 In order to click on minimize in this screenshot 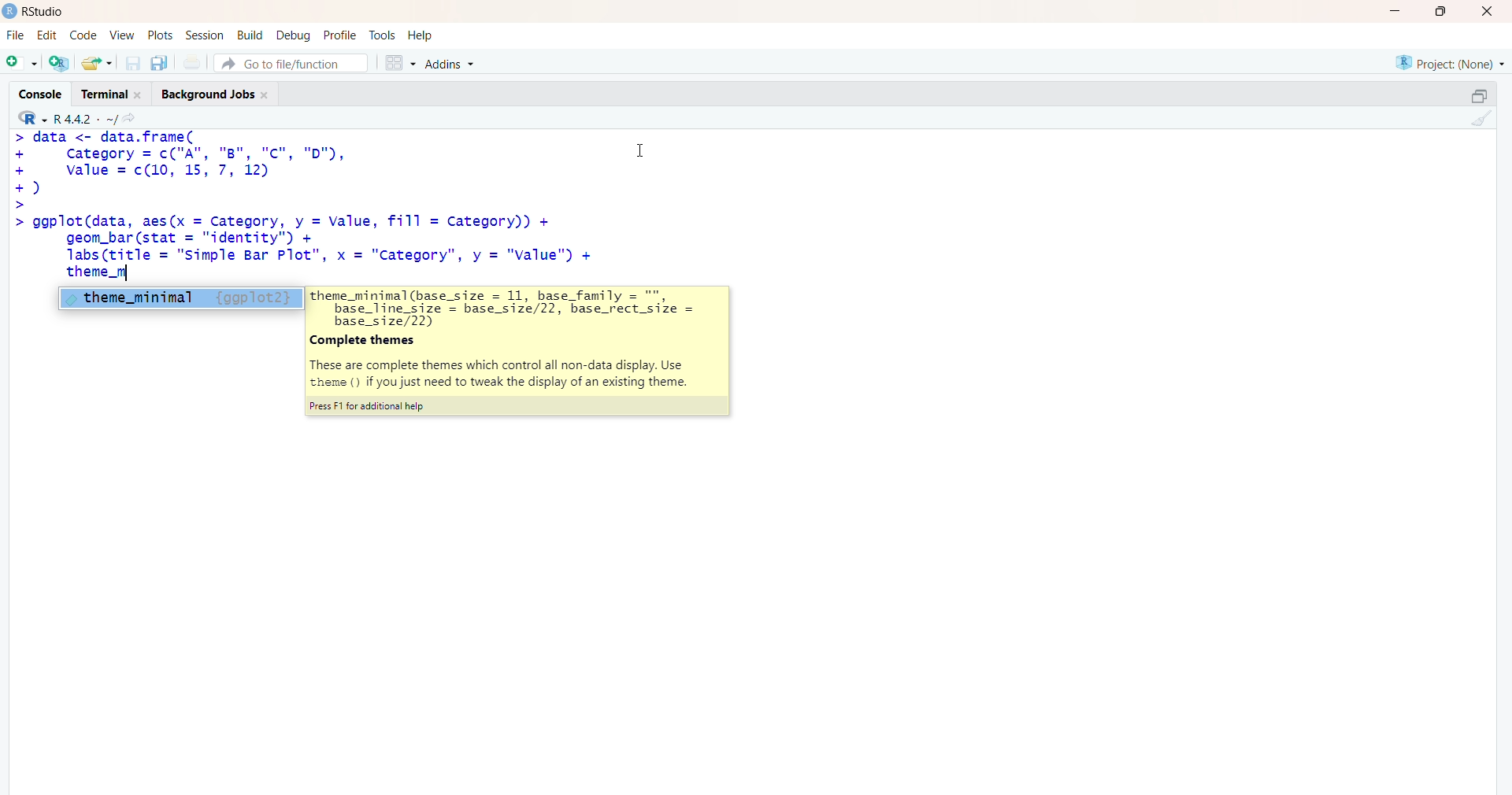, I will do `click(1400, 11)`.